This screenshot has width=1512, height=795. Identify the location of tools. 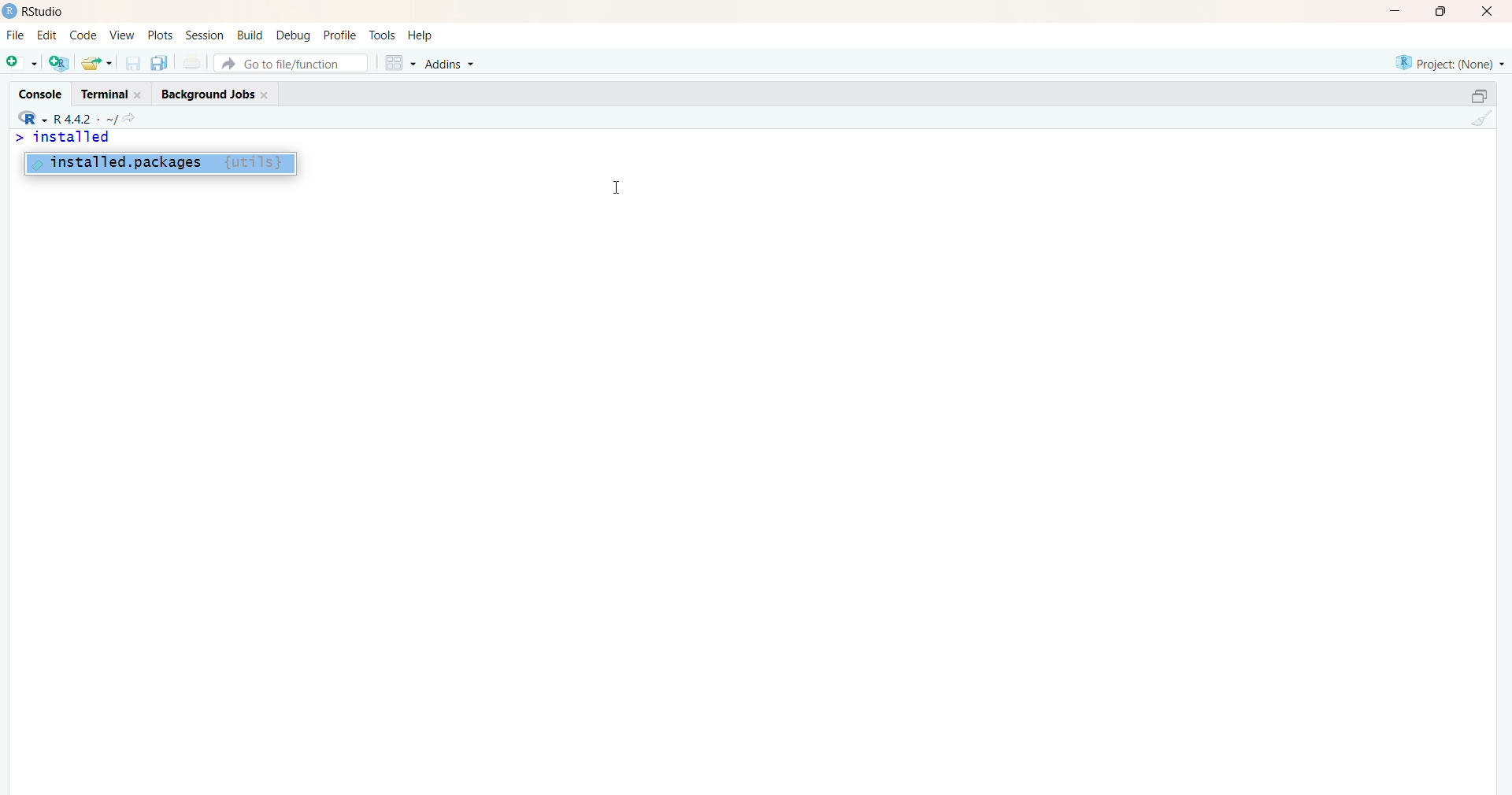
(382, 35).